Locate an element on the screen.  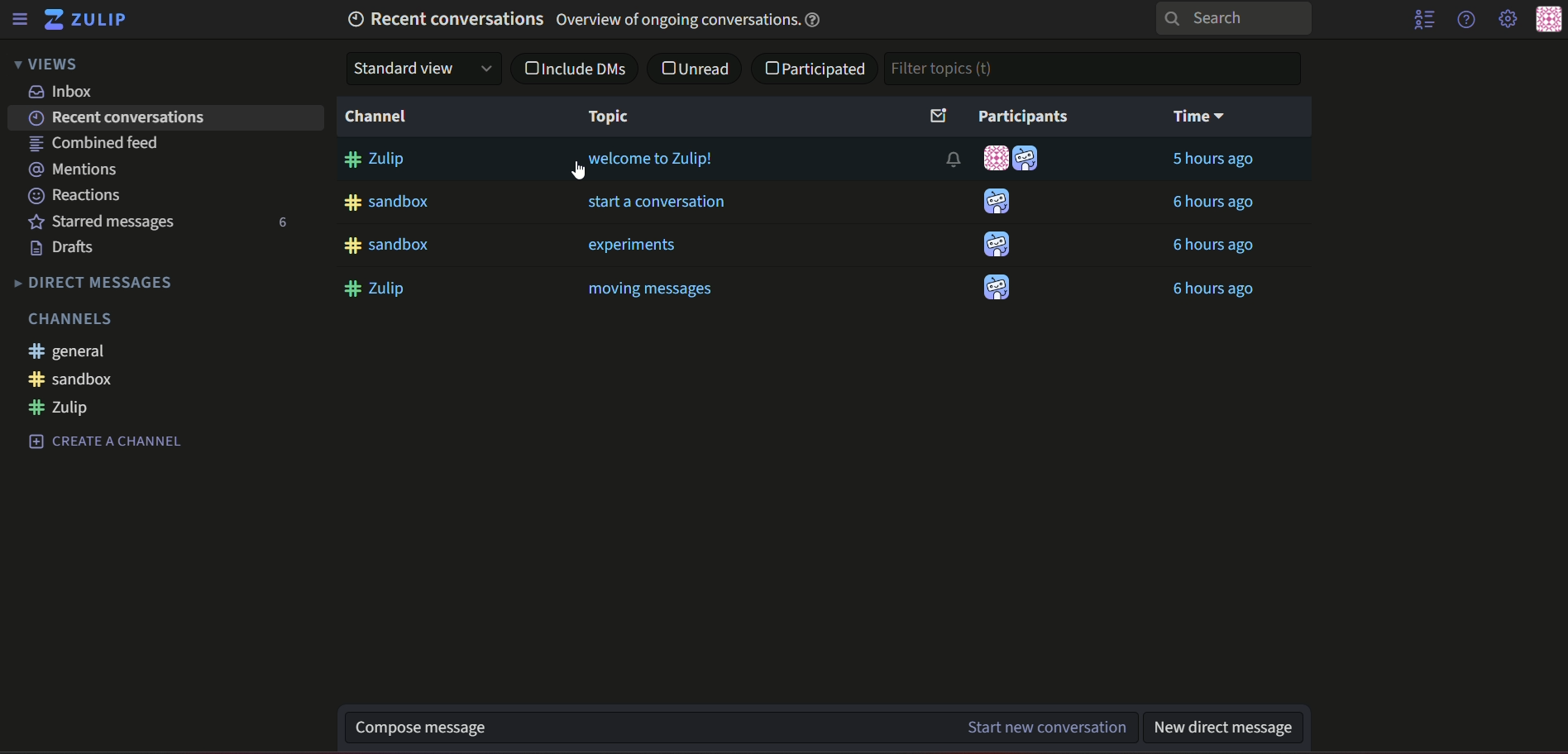
personal menu is located at coordinates (1547, 19).